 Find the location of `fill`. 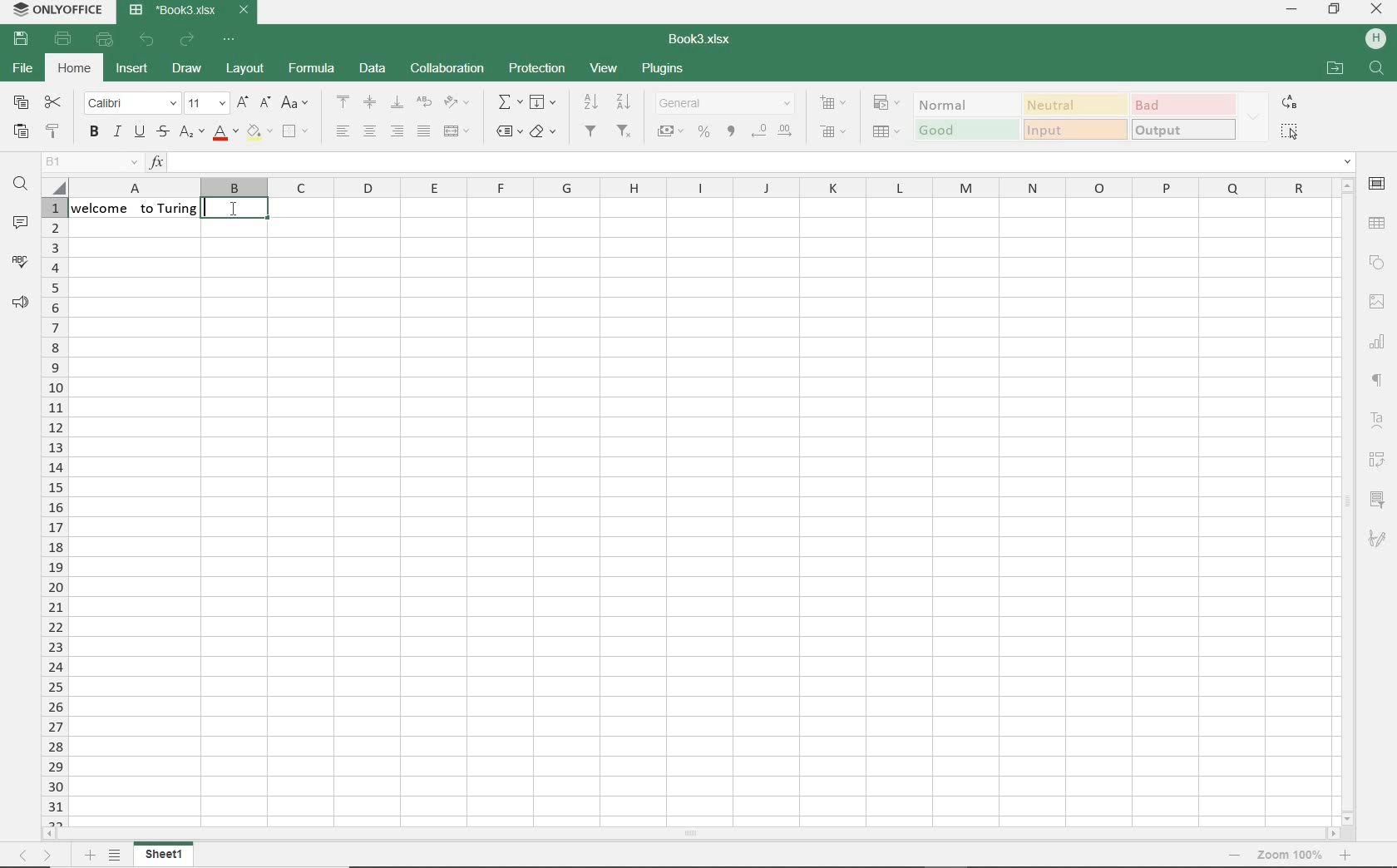

fill is located at coordinates (542, 103).